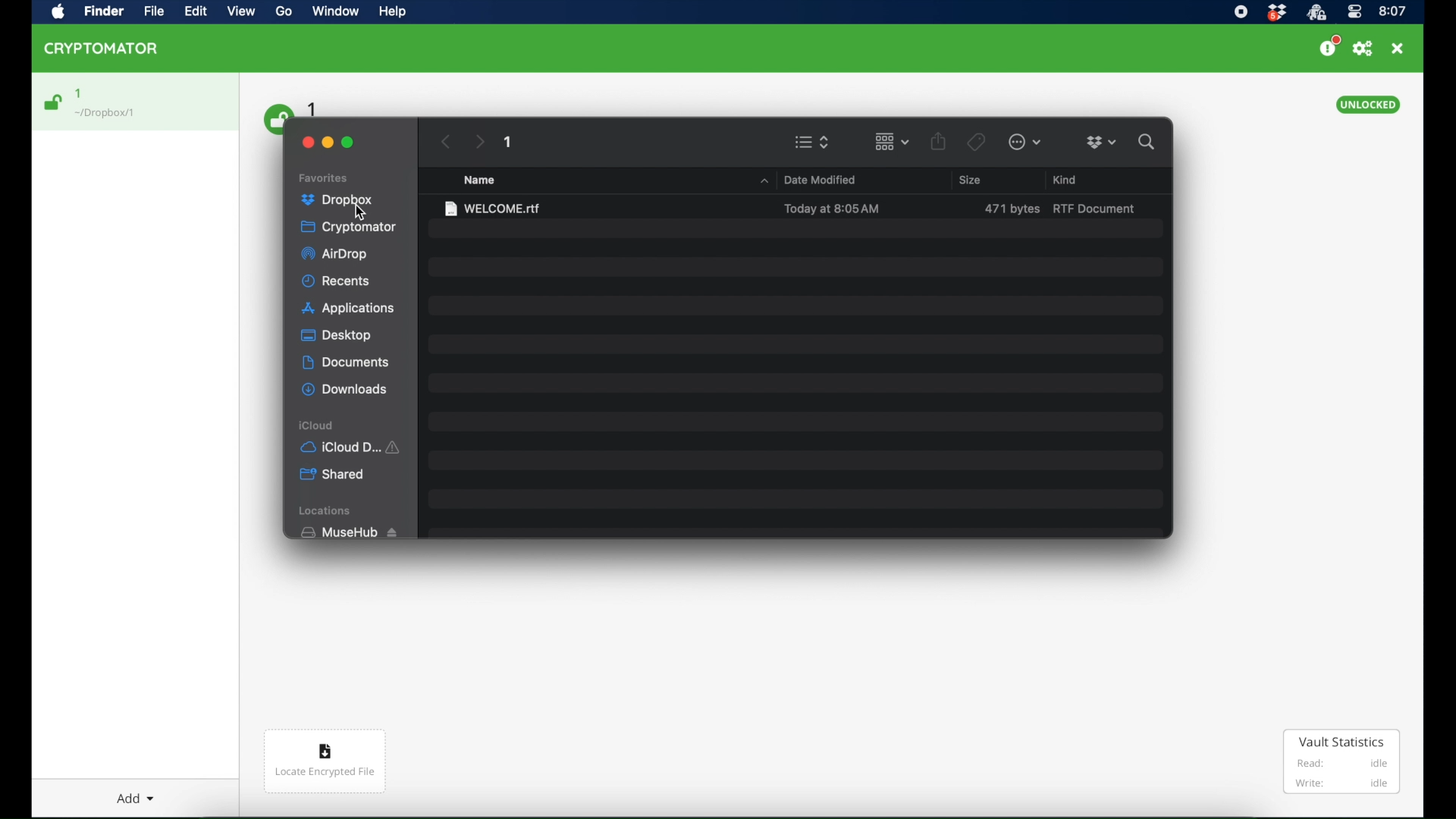 The height and width of the screenshot is (819, 1456). I want to click on maximize, so click(349, 143).